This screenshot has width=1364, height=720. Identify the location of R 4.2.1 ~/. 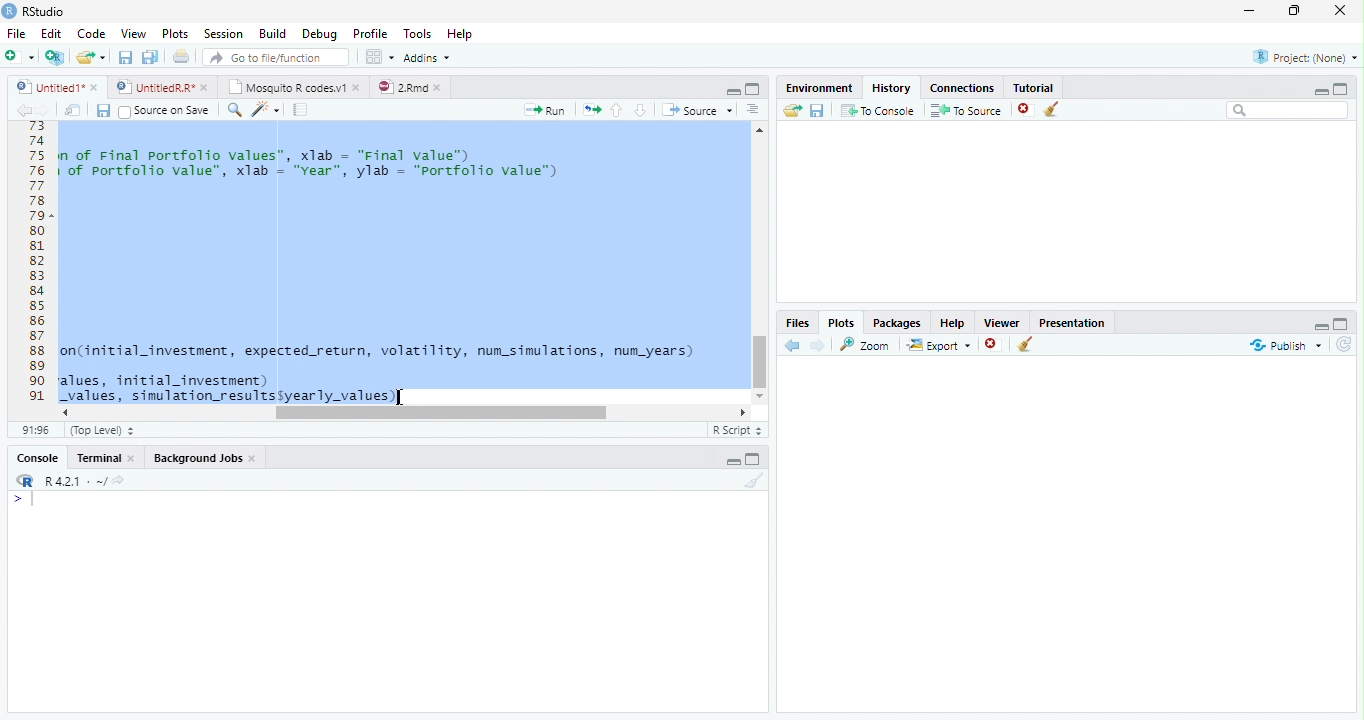
(67, 479).